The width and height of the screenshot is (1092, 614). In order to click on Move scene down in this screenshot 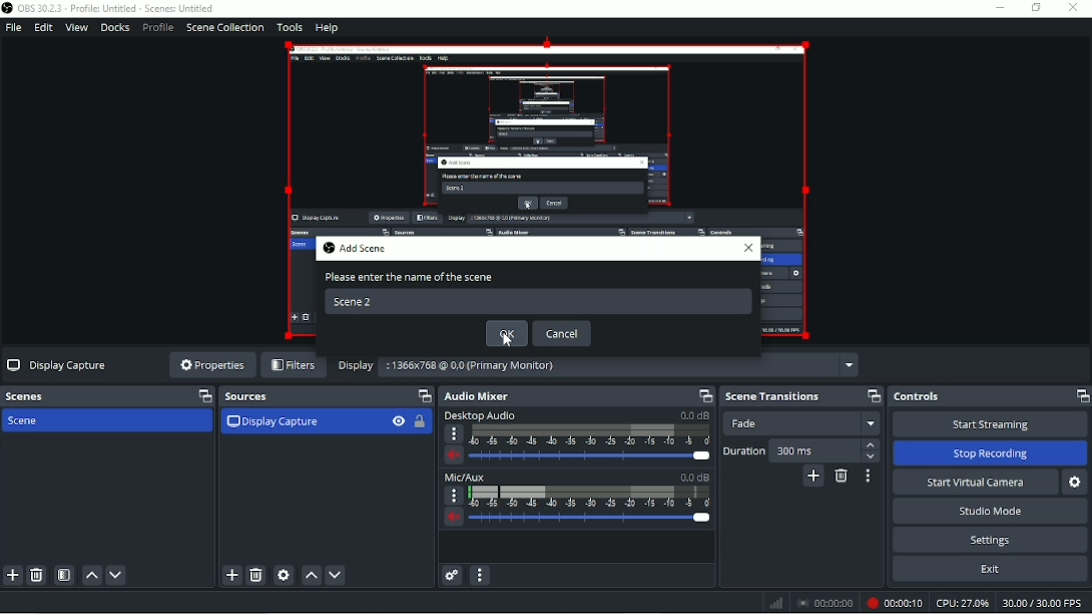, I will do `click(117, 575)`.